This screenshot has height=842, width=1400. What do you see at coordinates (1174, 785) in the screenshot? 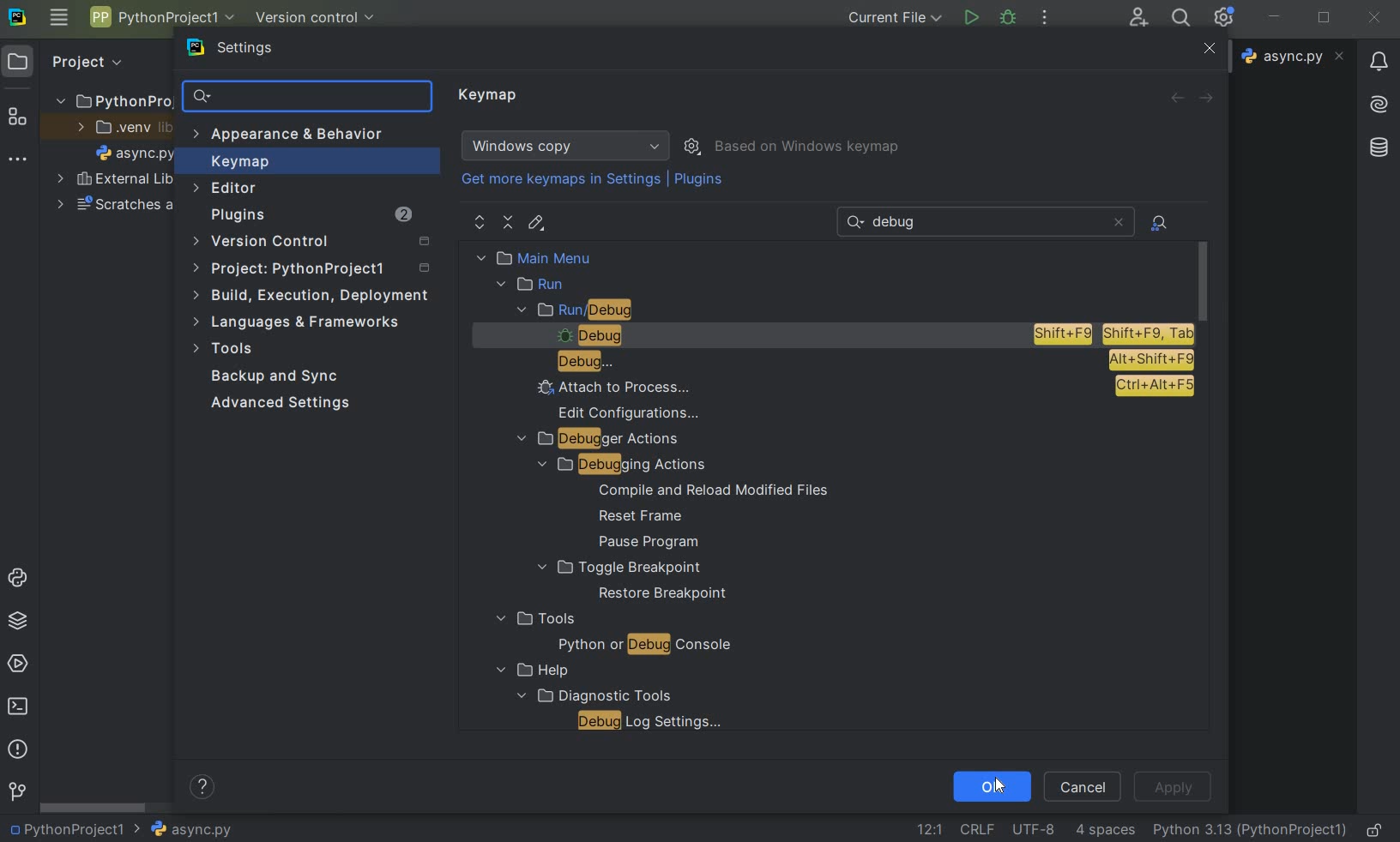
I see `apply` at bounding box center [1174, 785].